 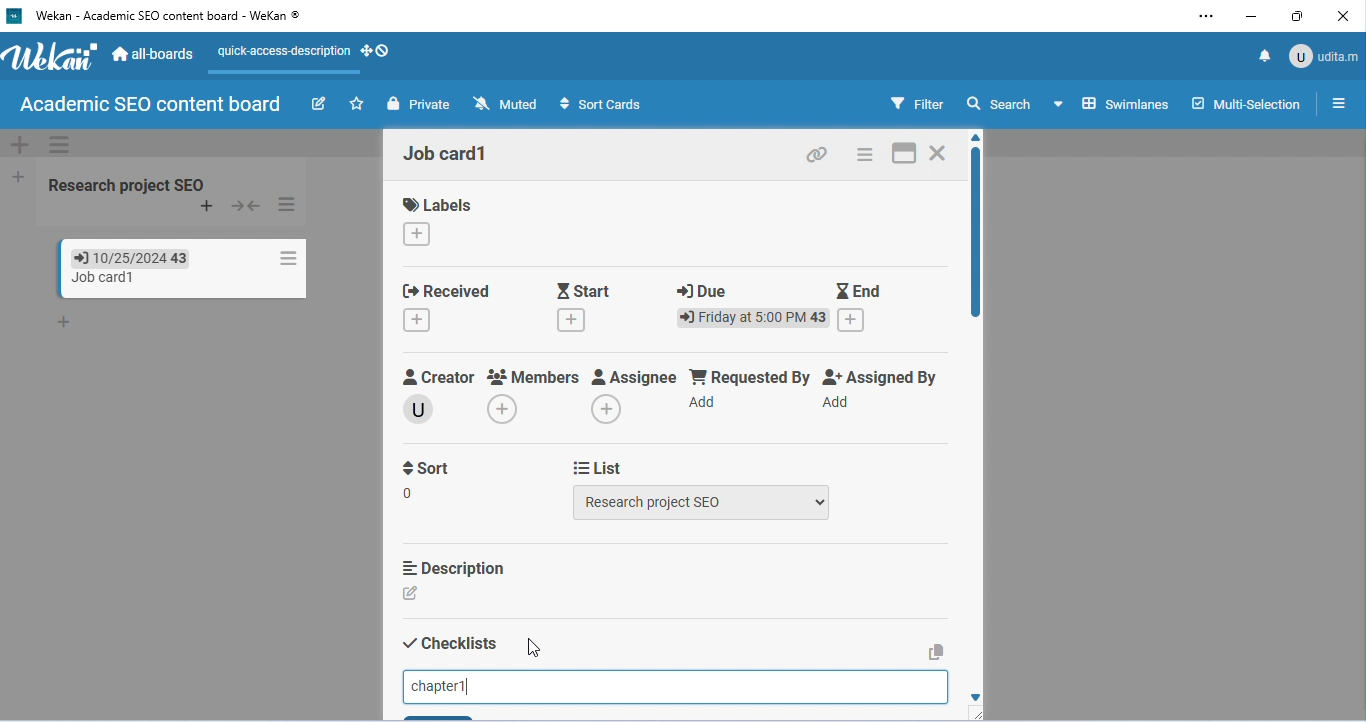 I want to click on due date of card, so click(x=120, y=257).